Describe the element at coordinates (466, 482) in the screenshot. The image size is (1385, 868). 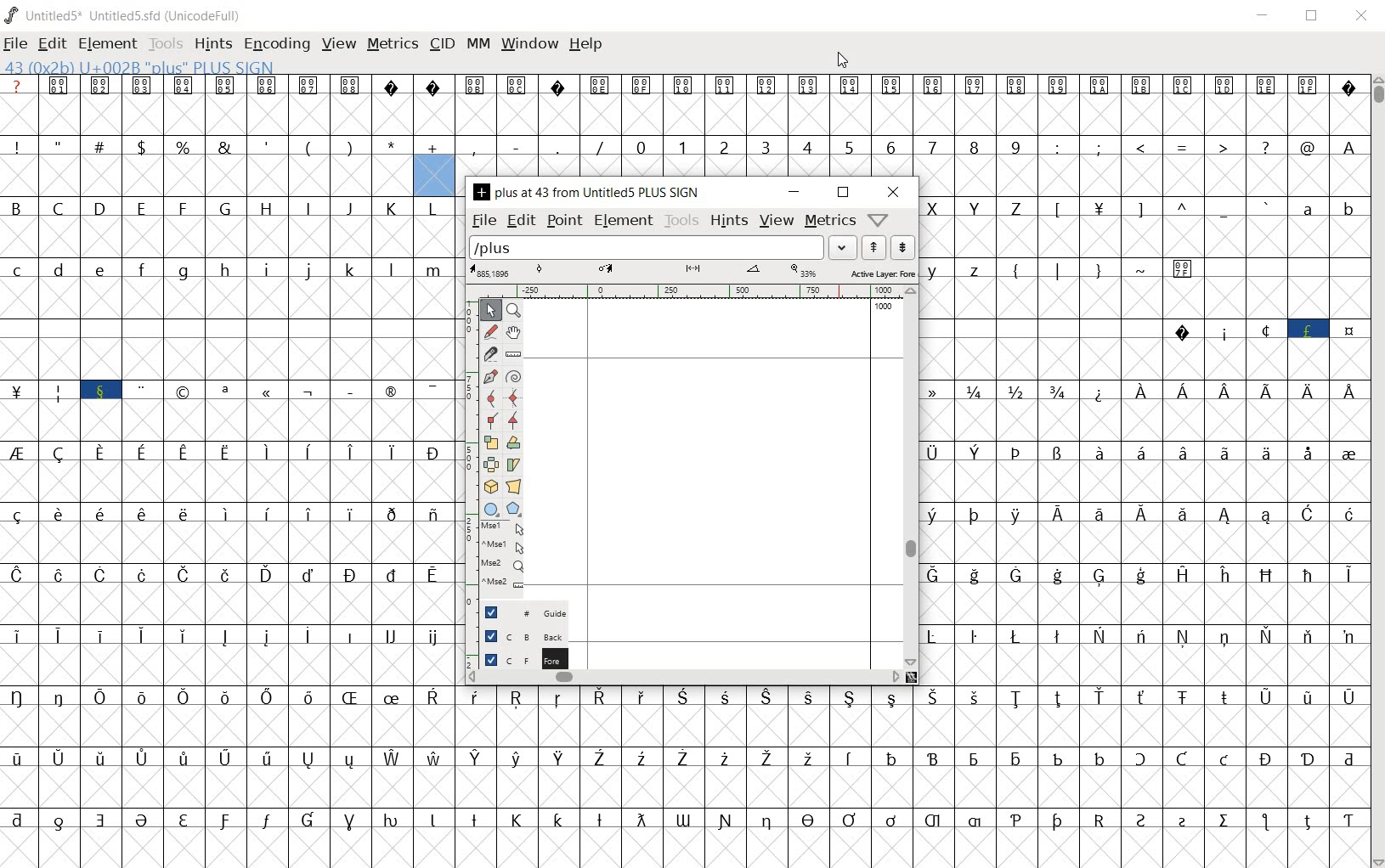
I see `` at that location.